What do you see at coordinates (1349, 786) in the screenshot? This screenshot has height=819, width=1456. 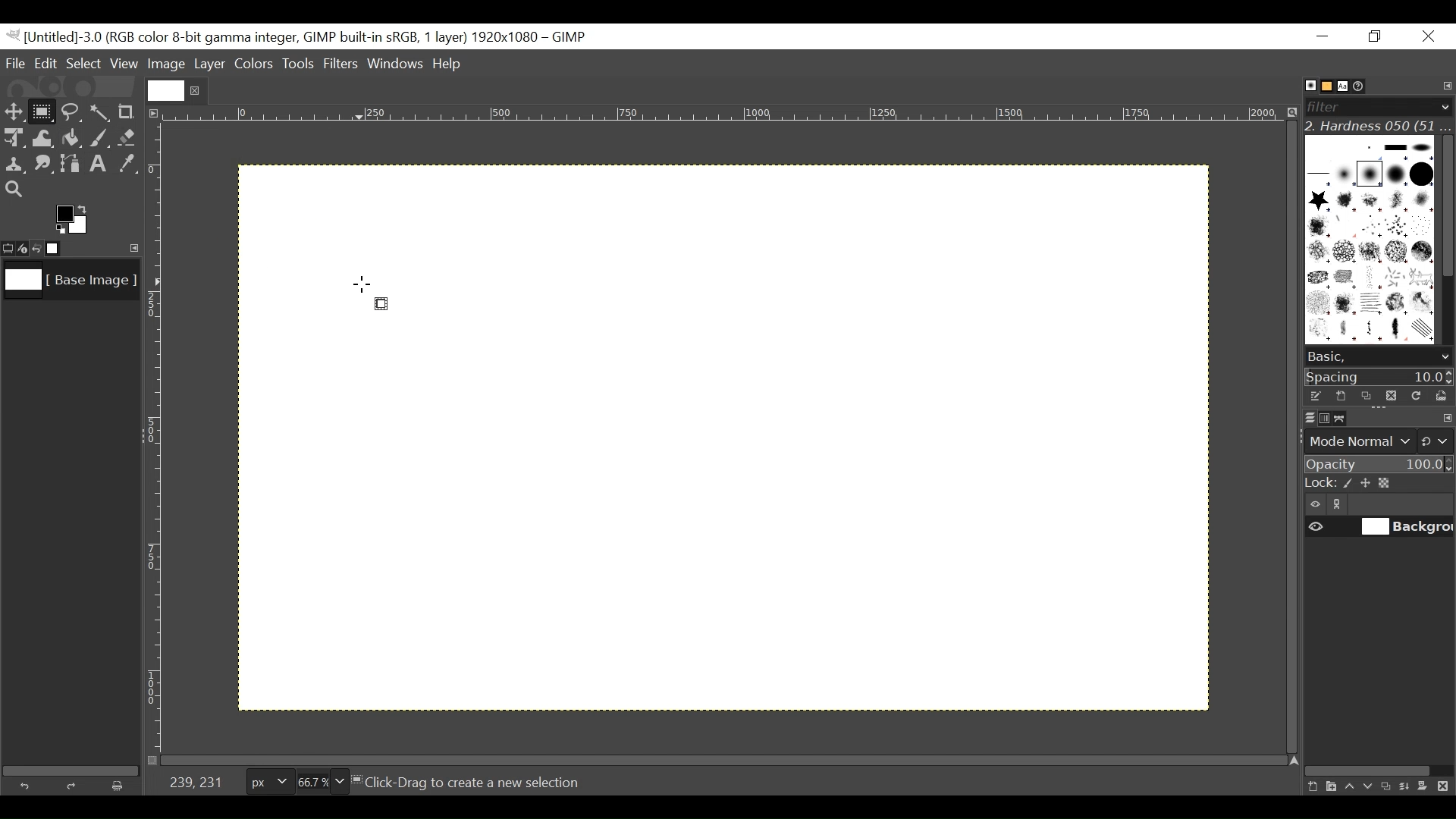 I see `Raise the layer` at bounding box center [1349, 786].